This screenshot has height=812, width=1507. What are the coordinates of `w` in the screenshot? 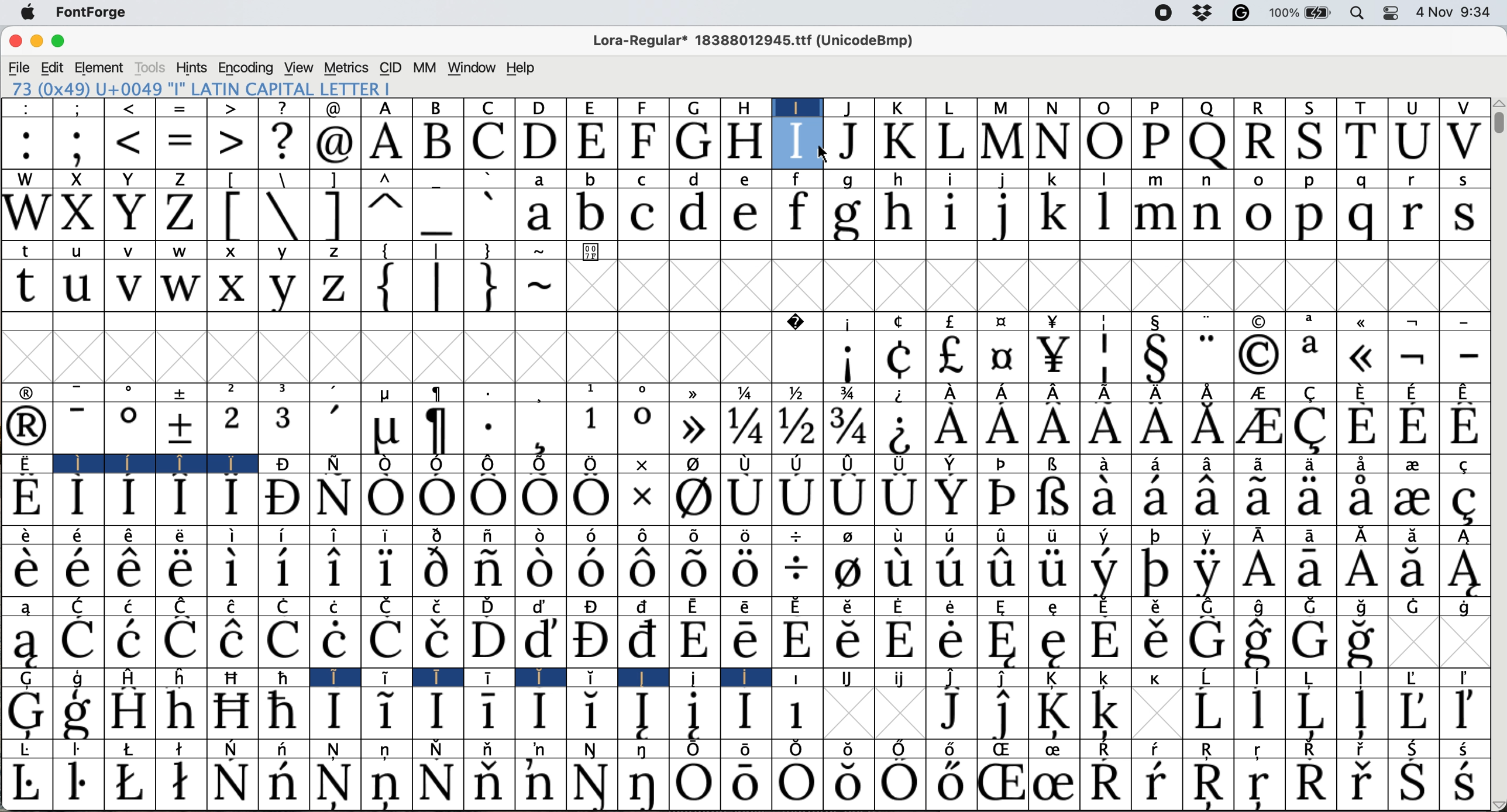 It's located at (185, 253).